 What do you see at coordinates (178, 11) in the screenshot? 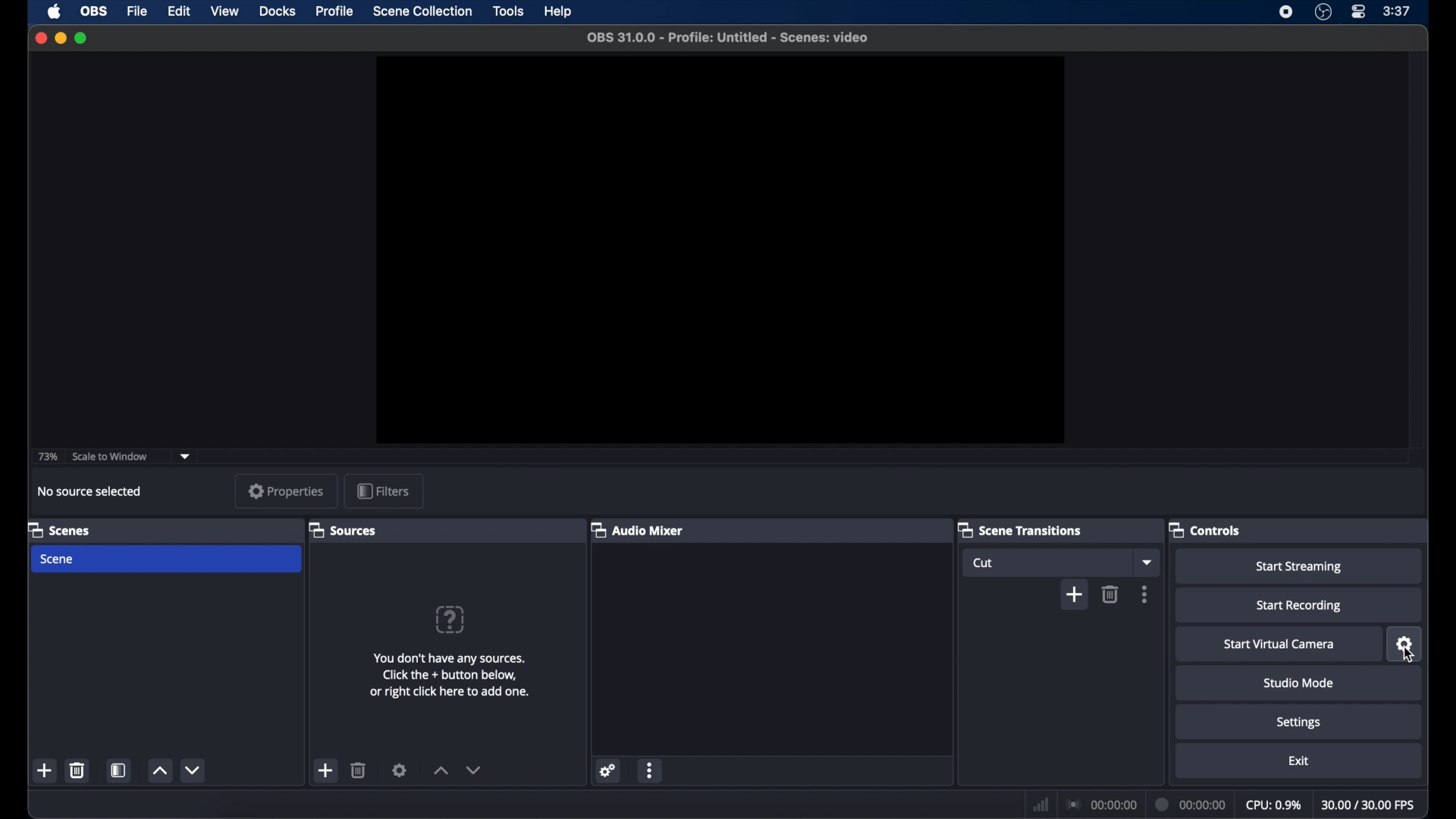
I see `edit` at bounding box center [178, 11].